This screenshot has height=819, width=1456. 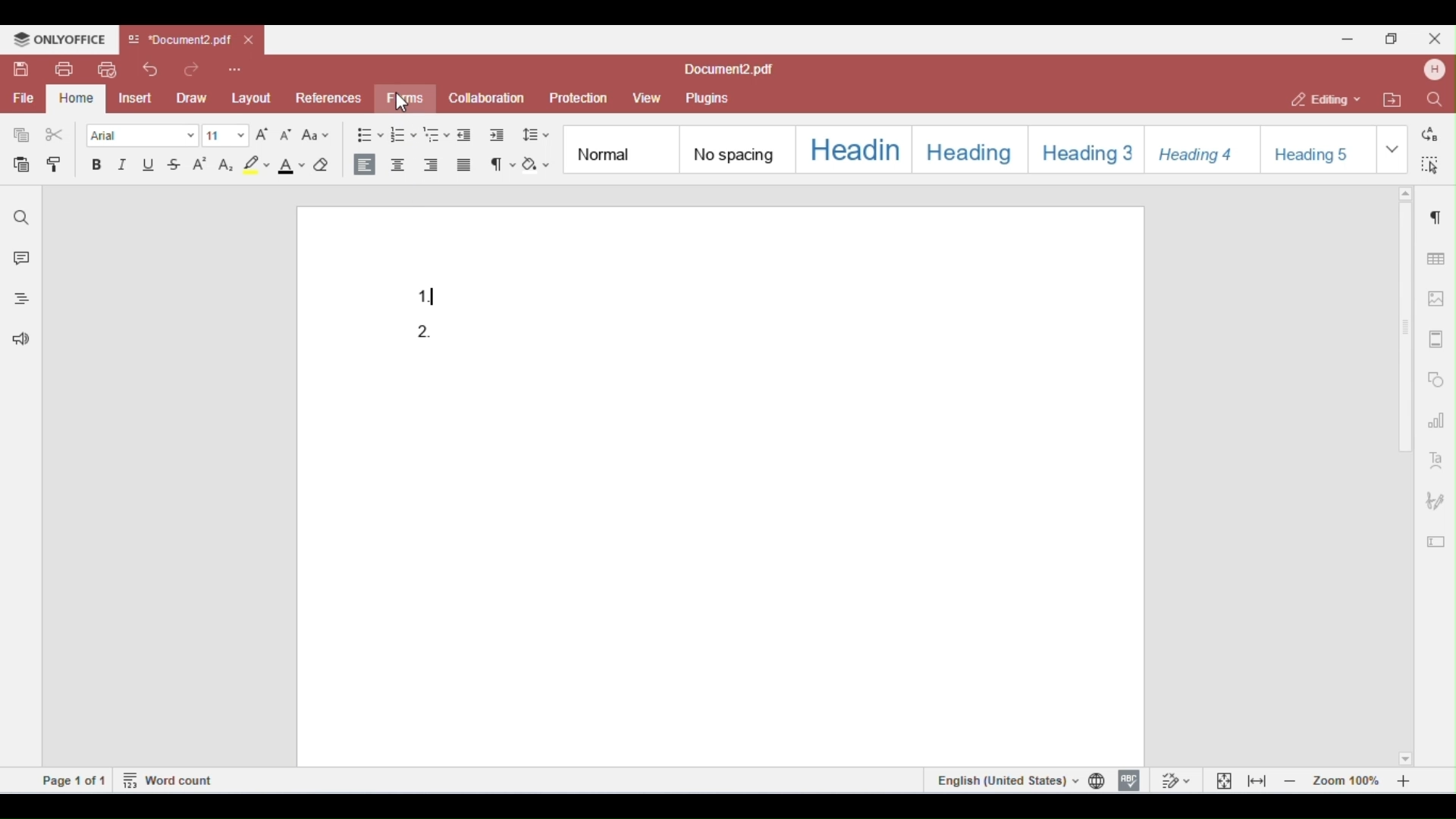 What do you see at coordinates (315, 137) in the screenshot?
I see `change ease` at bounding box center [315, 137].